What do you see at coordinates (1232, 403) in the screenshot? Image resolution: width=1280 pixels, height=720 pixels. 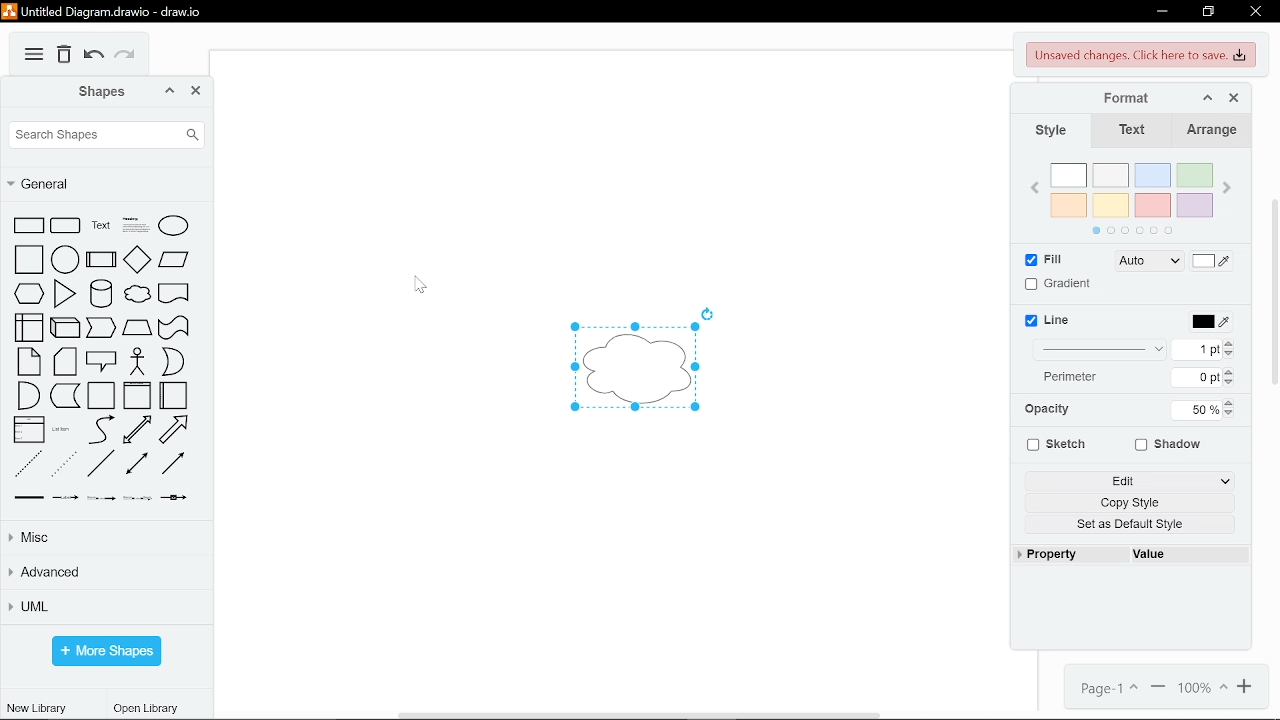 I see `increase opacity` at bounding box center [1232, 403].